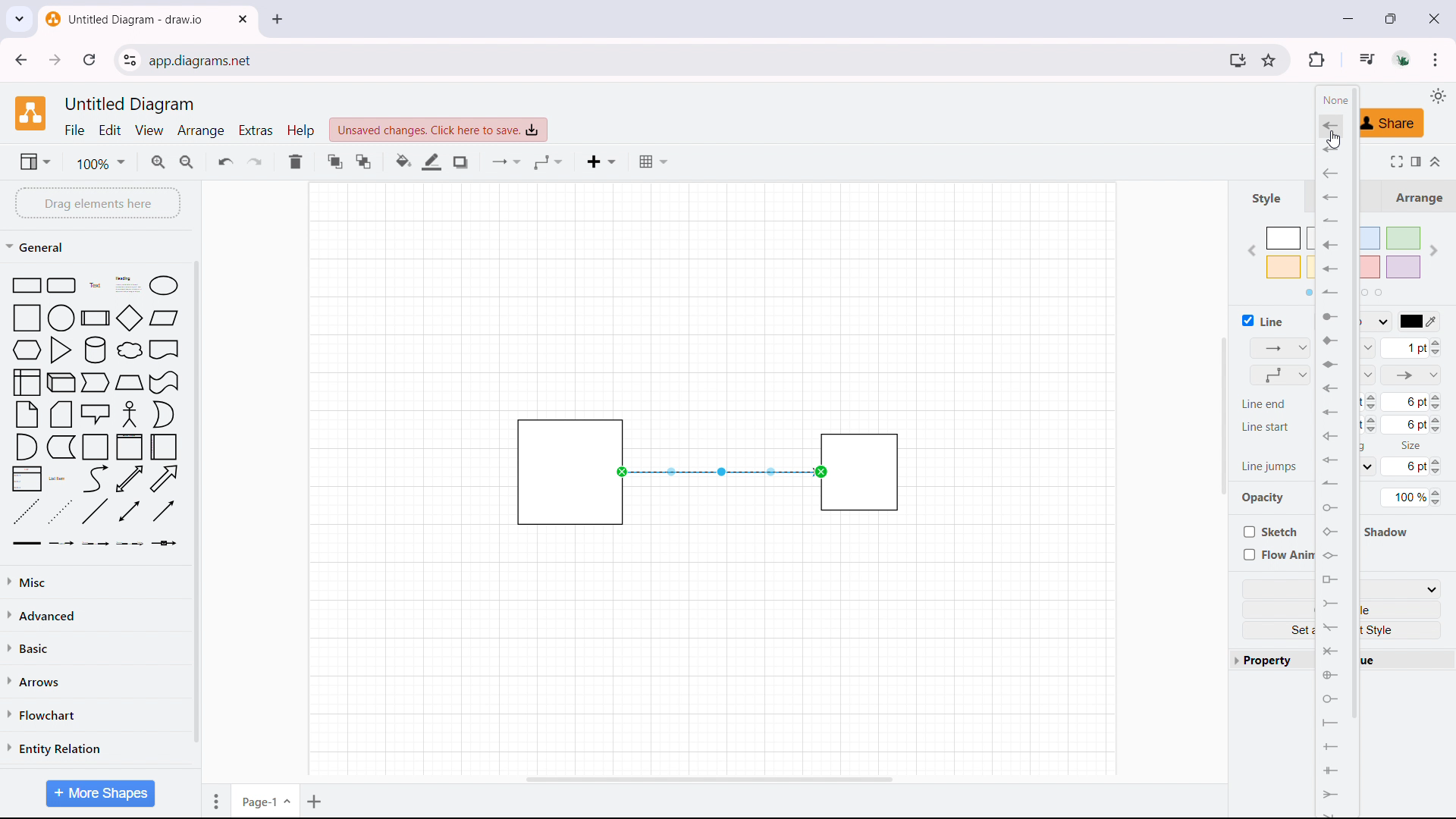  I want to click on current page, so click(265, 799).